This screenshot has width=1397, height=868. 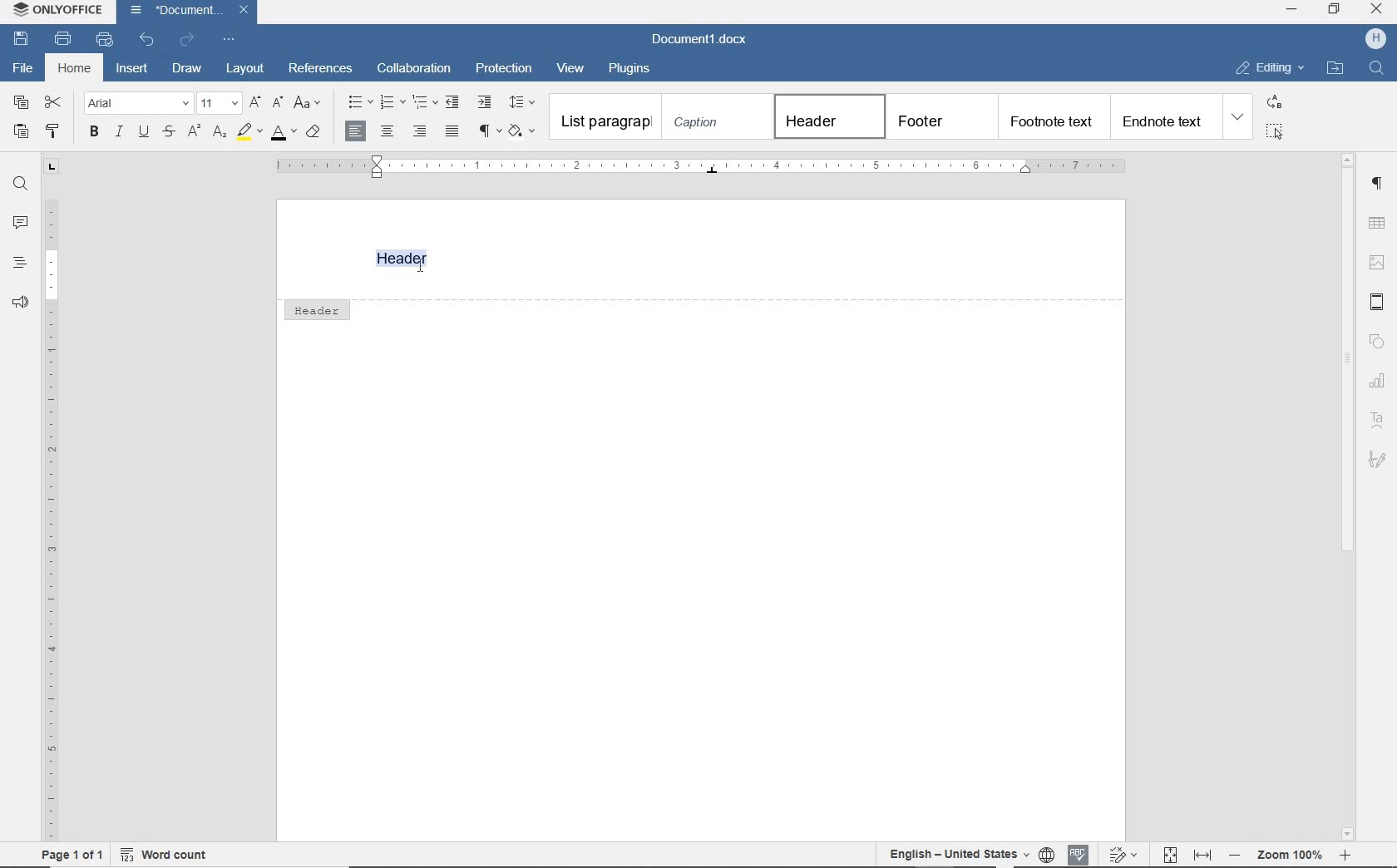 I want to click on decrement font size, so click(x=277, y=103).